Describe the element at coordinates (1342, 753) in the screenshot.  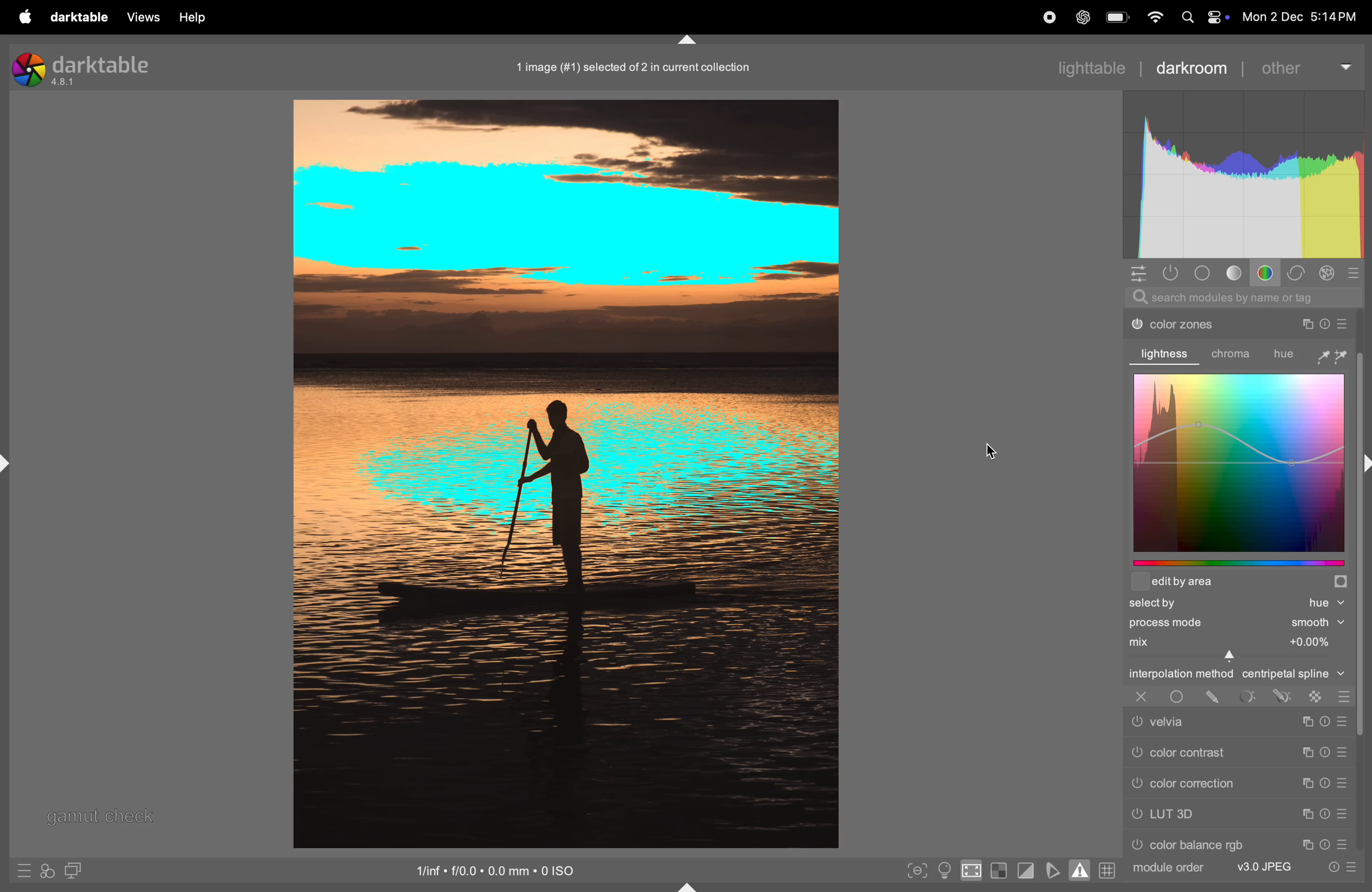
I see `preset` at that location.